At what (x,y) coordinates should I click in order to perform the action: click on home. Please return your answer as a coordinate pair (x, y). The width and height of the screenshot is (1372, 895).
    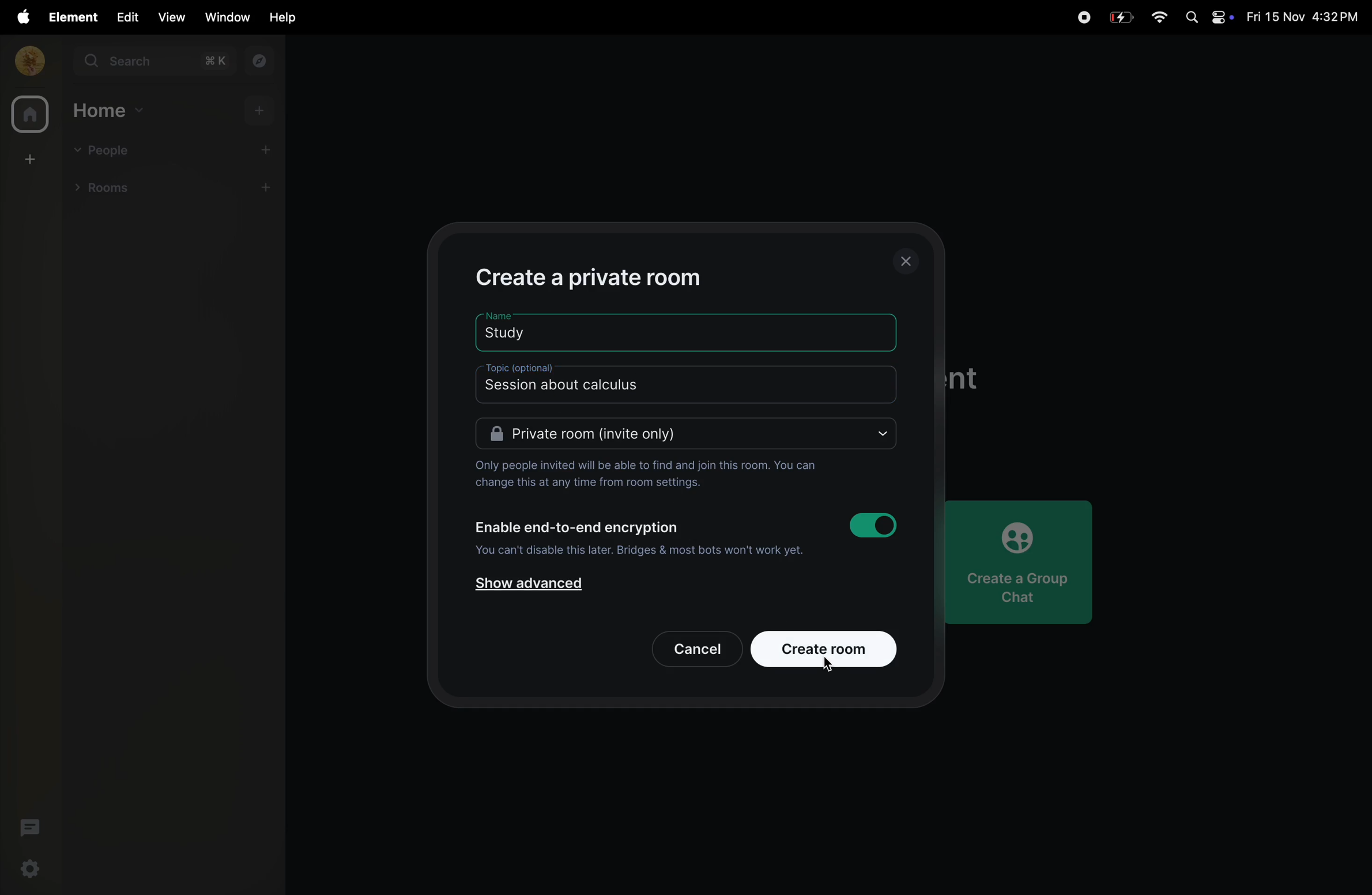
    Looking at the image, I should click on (109, 111).